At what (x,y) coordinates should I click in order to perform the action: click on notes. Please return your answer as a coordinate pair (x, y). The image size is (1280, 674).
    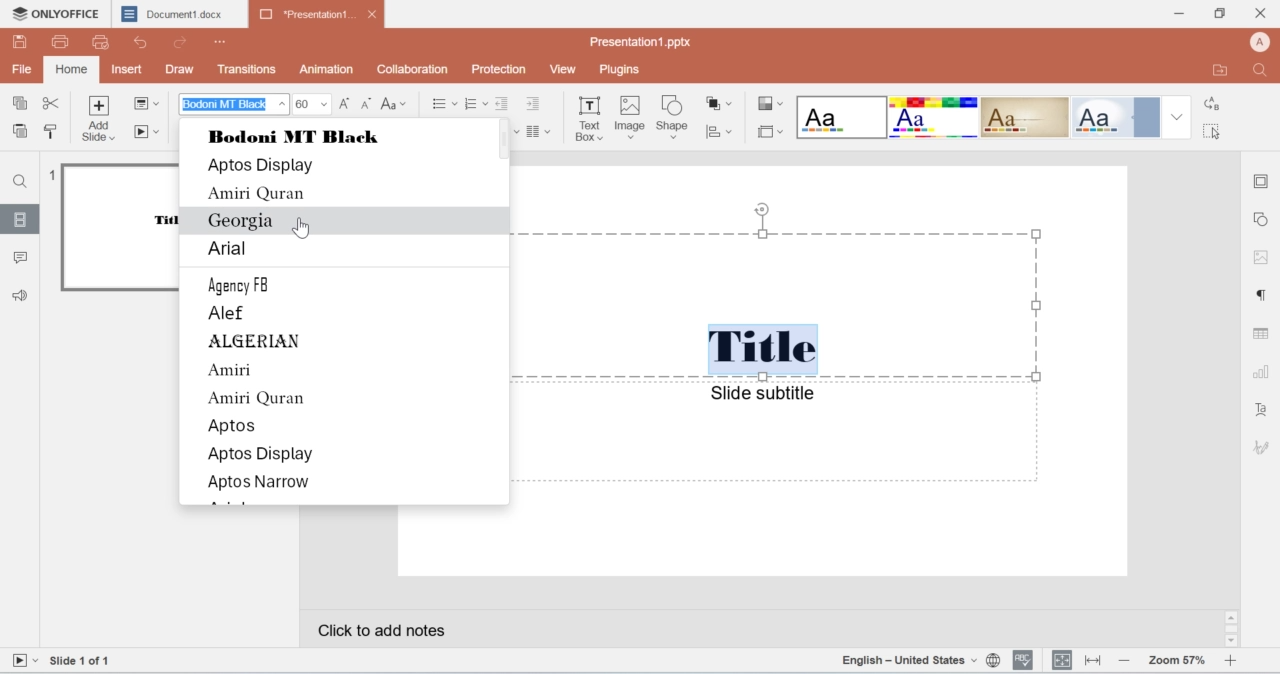
    Looking at the image, I should click on (430, 633).